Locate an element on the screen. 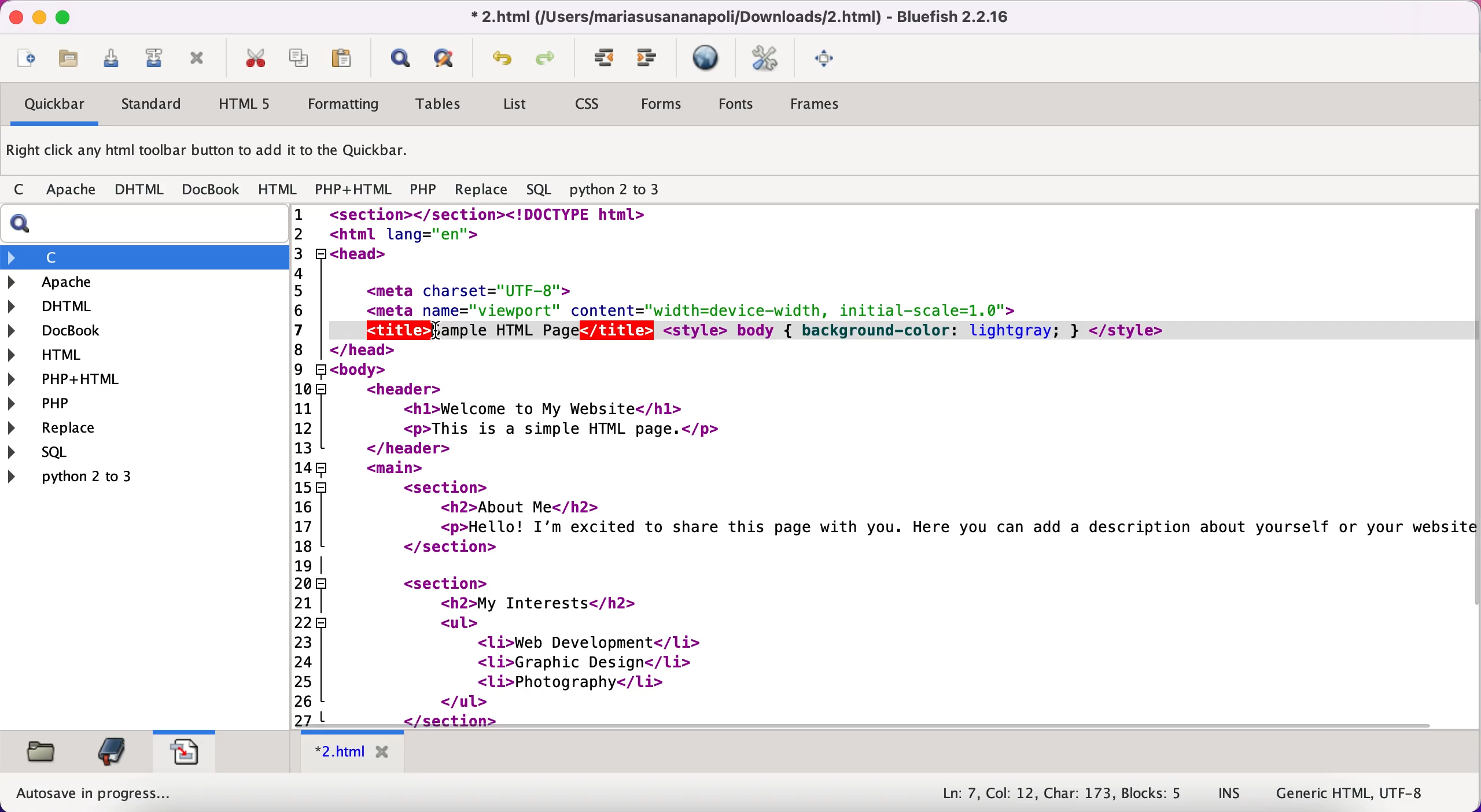  php+html is located at coordinates (355, 191).